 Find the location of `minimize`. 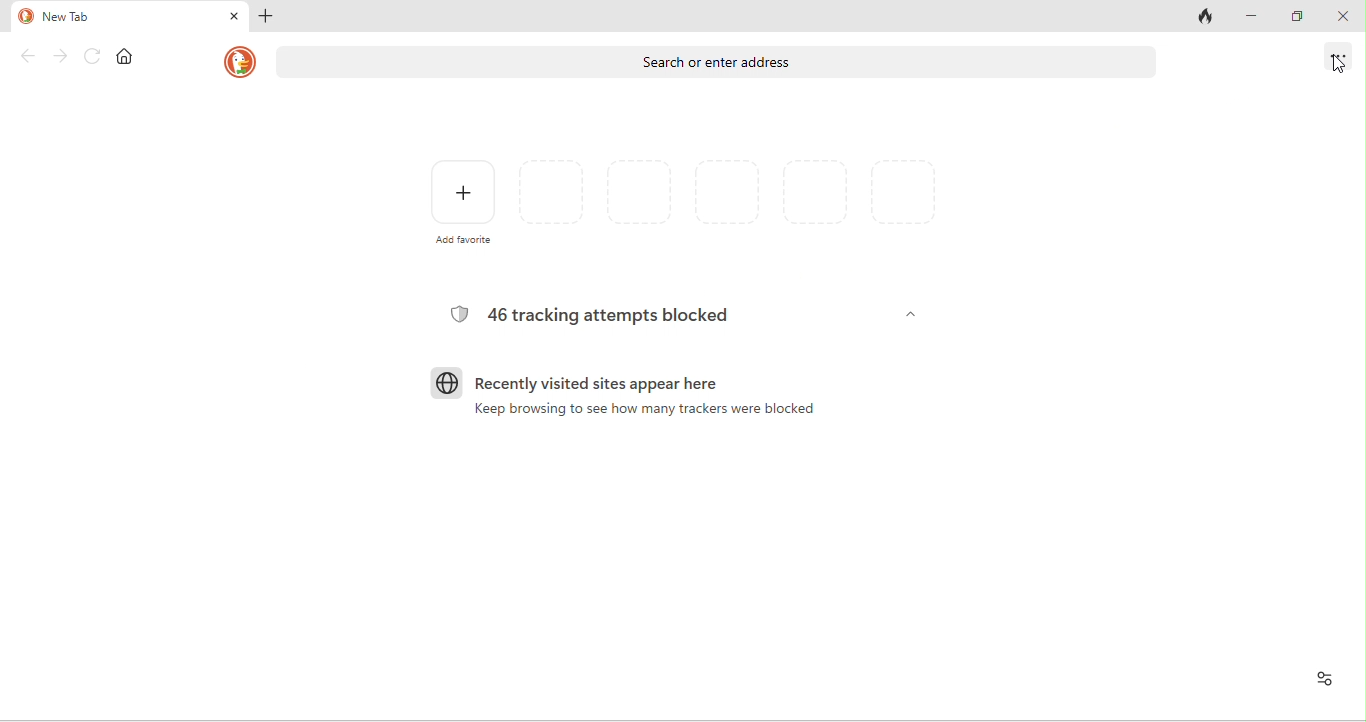

minimize is located at coordinates (1255, 16).